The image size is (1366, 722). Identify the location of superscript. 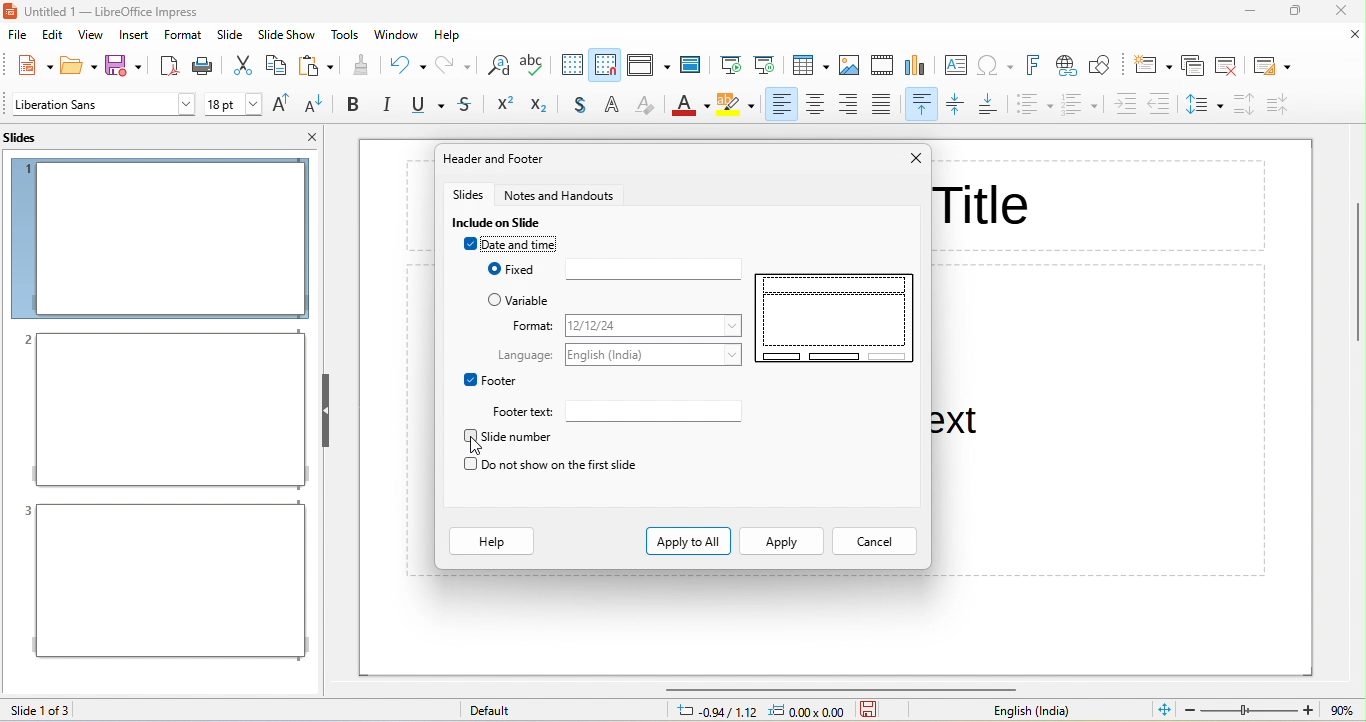
(503, 105).